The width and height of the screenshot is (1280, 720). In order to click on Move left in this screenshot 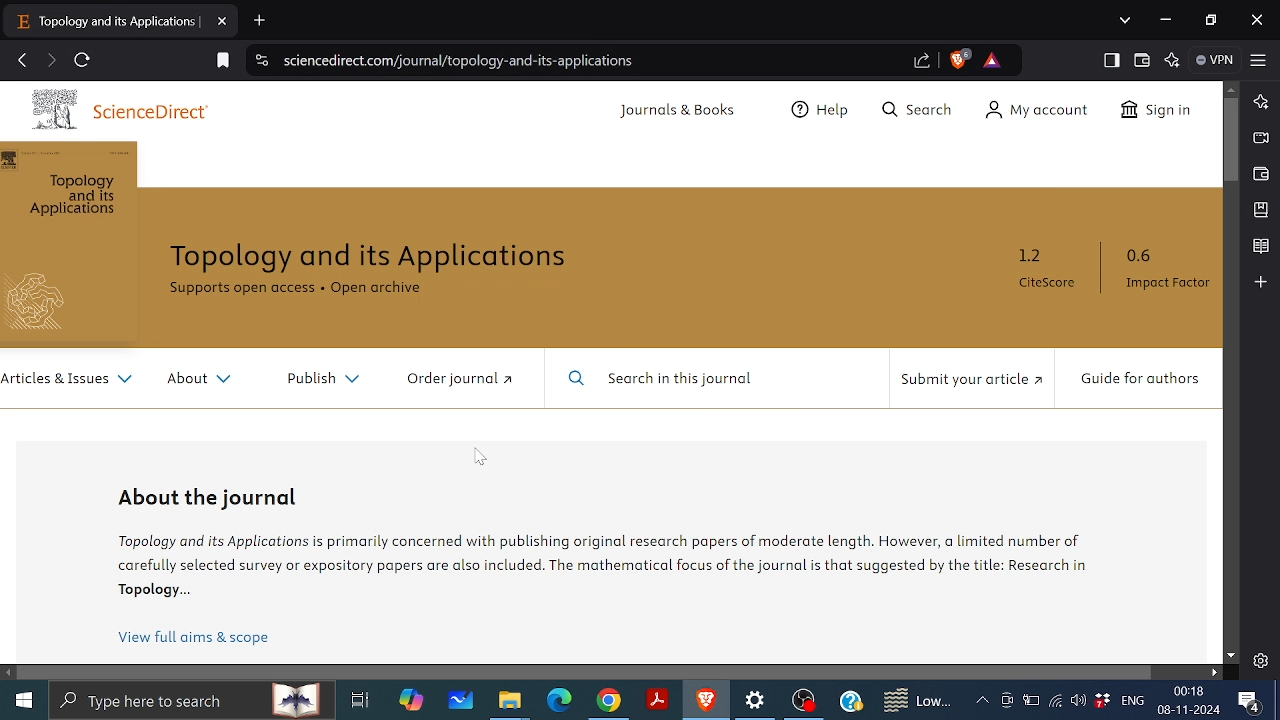, I will do `click(8, 672)`.